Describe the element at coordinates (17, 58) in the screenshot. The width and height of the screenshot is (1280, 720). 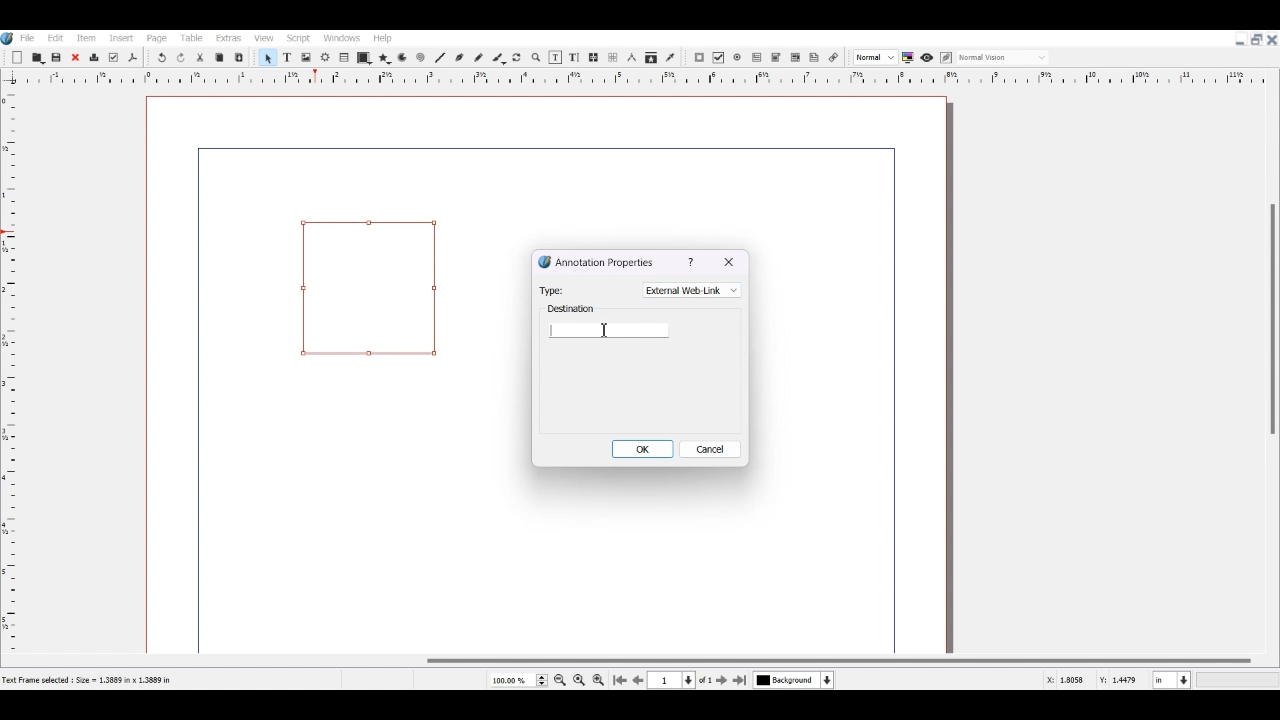
I see `Add` at that location.